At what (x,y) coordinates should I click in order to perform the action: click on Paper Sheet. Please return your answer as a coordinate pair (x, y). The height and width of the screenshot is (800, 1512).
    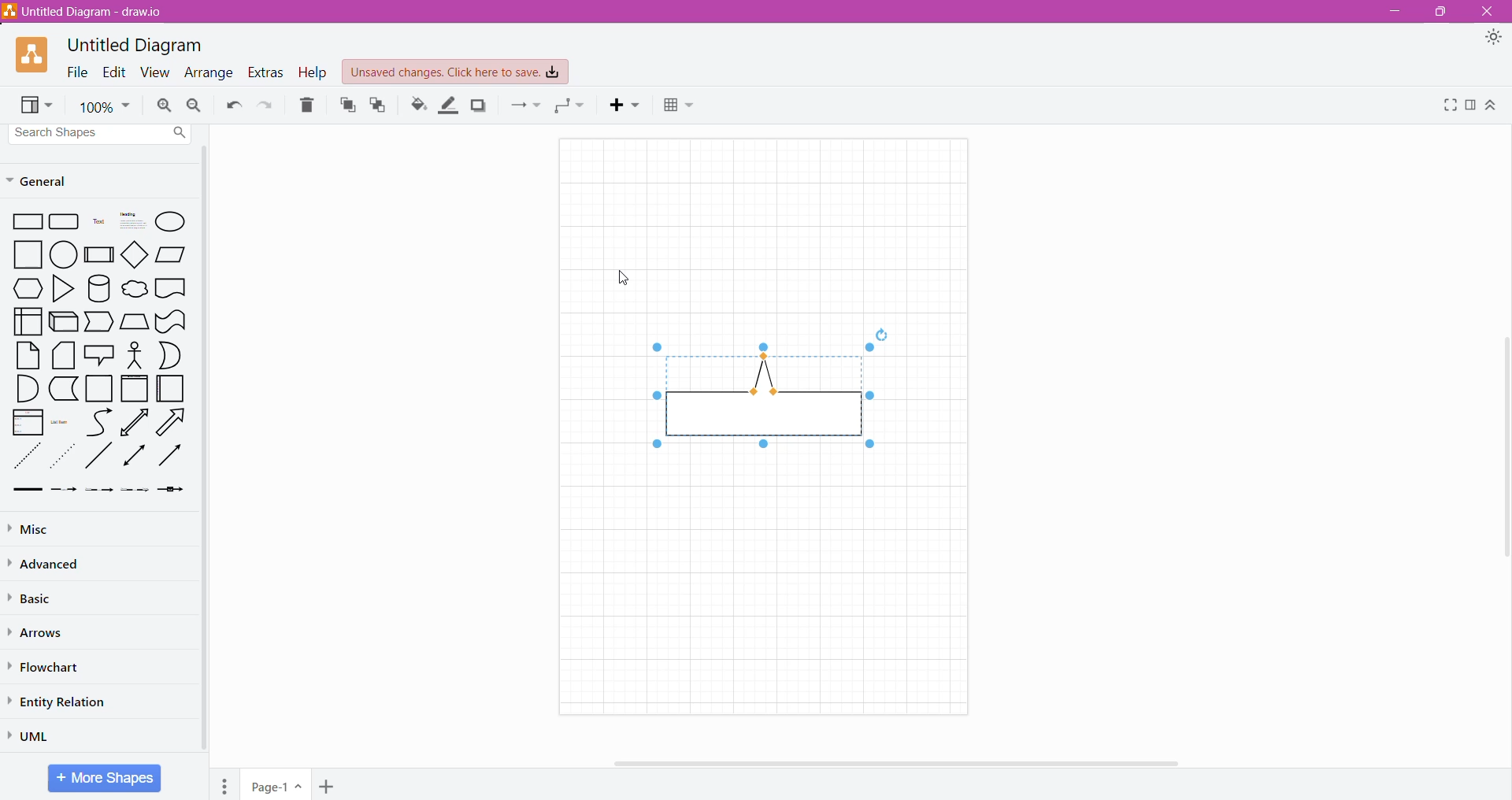
    Looking at the image, I should click on (28, 355).